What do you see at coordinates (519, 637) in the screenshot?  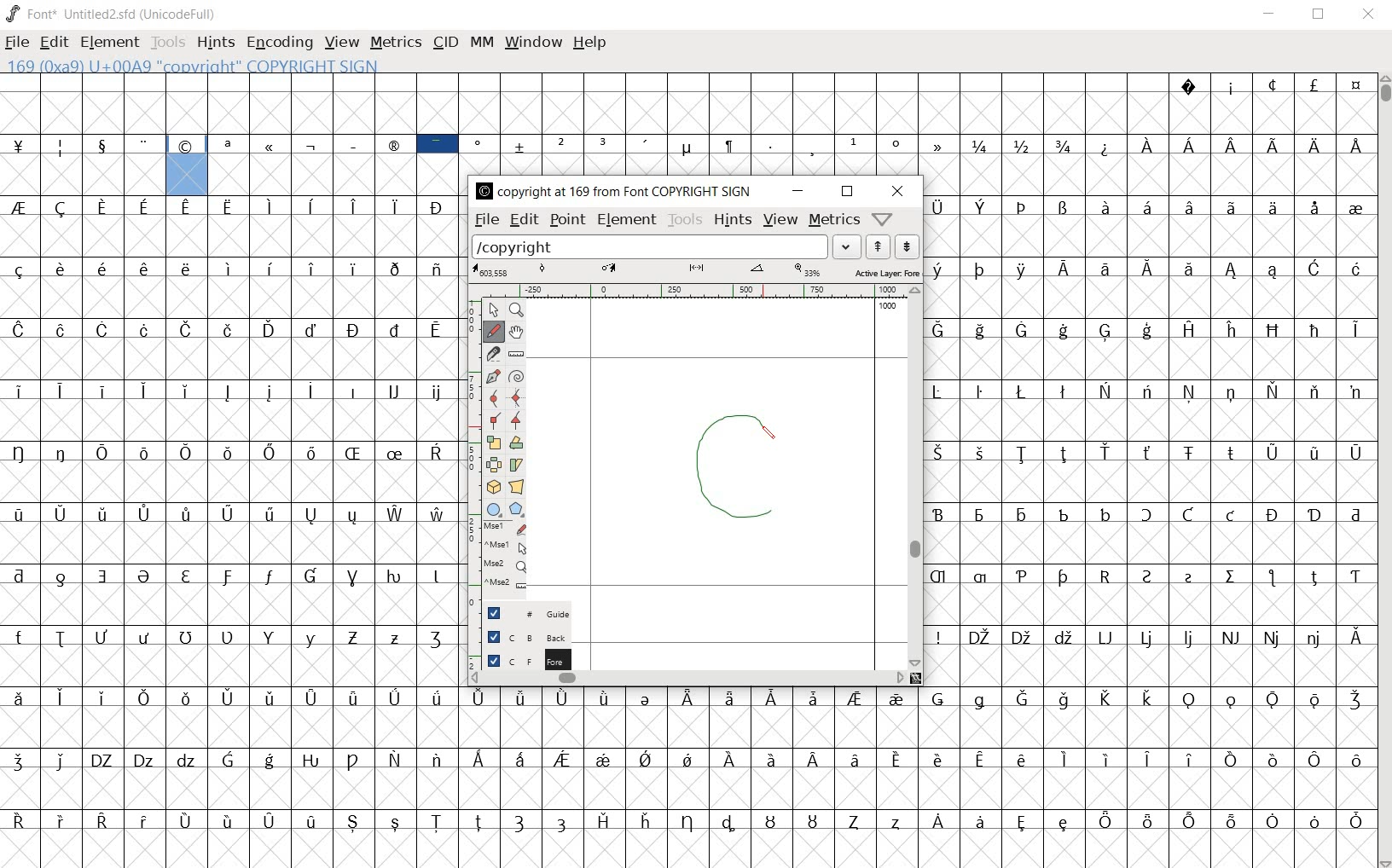 I see `background layer` at bounding box center [519, 637].